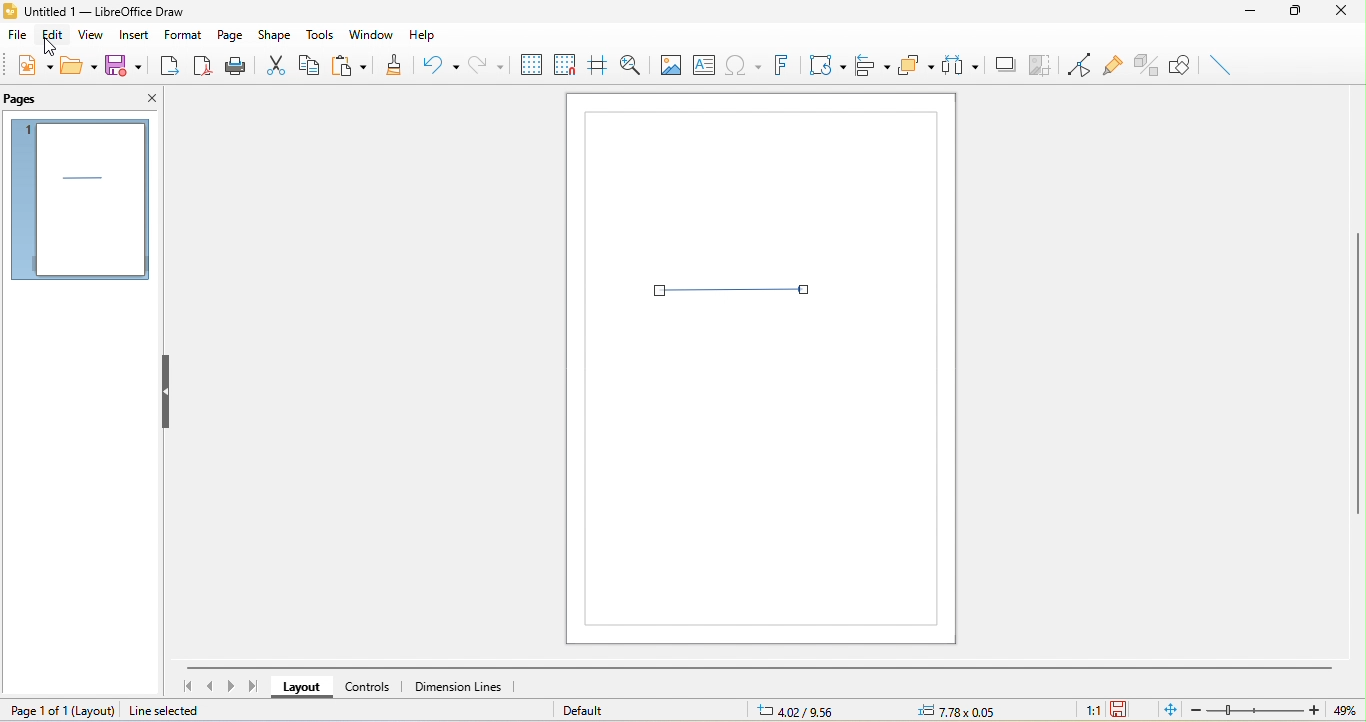 The image size is (1366, 722). Describe the element at coordinates (232, 685) in the screenshot. I see `next page` at that location.